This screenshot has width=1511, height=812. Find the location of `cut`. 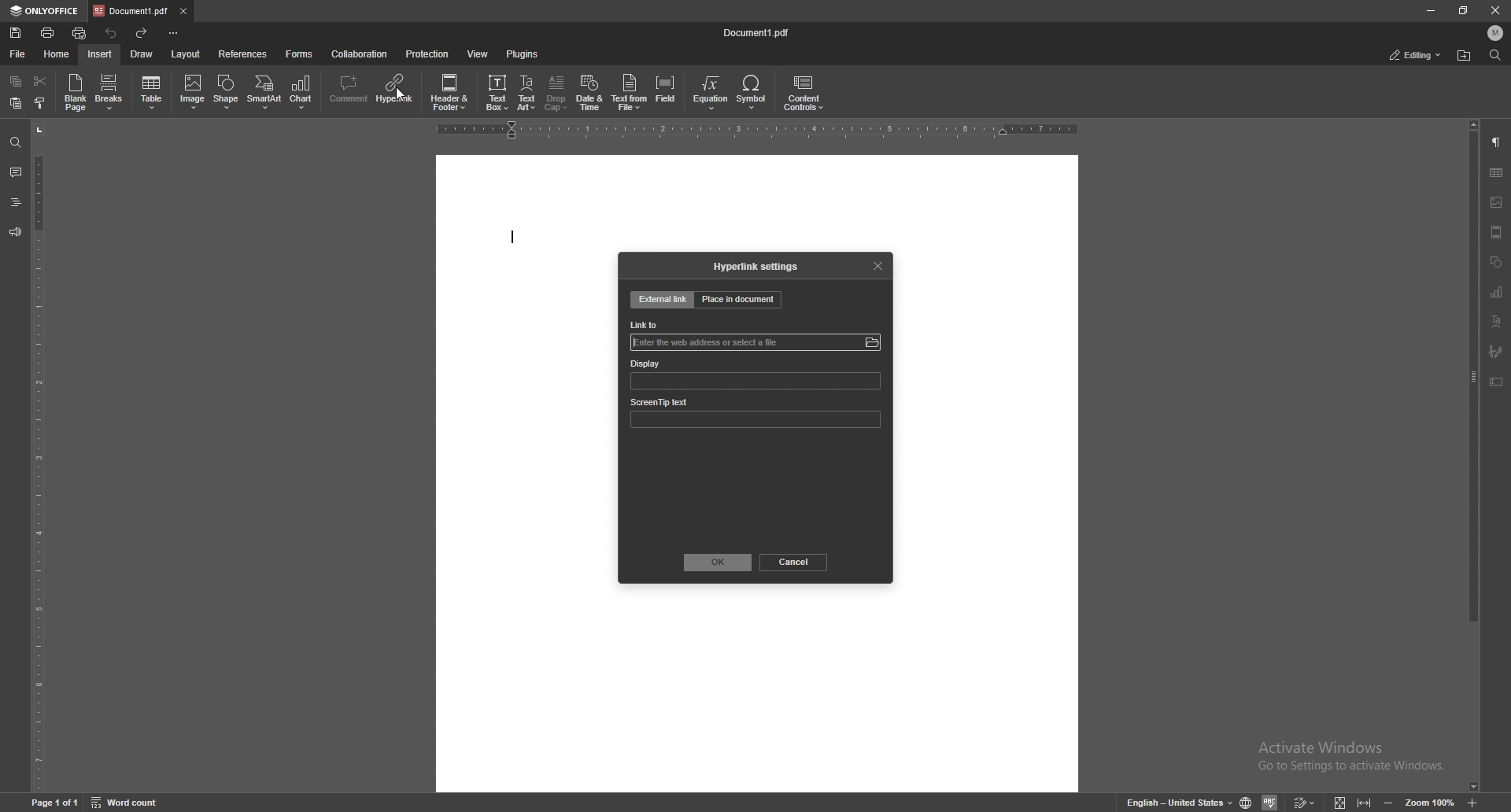

cut is located at coordinates (41, 81).